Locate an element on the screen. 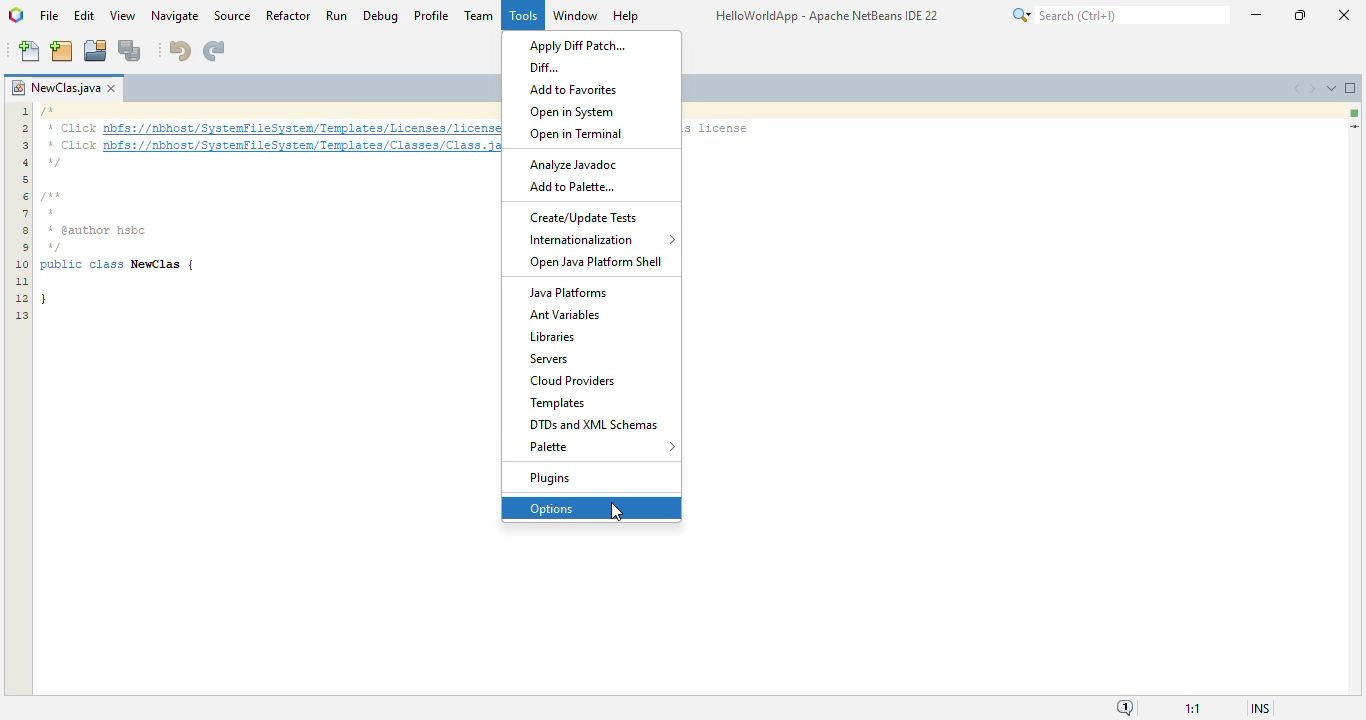 The image size is (1366, 720). window is located at coordinates (576, 14).